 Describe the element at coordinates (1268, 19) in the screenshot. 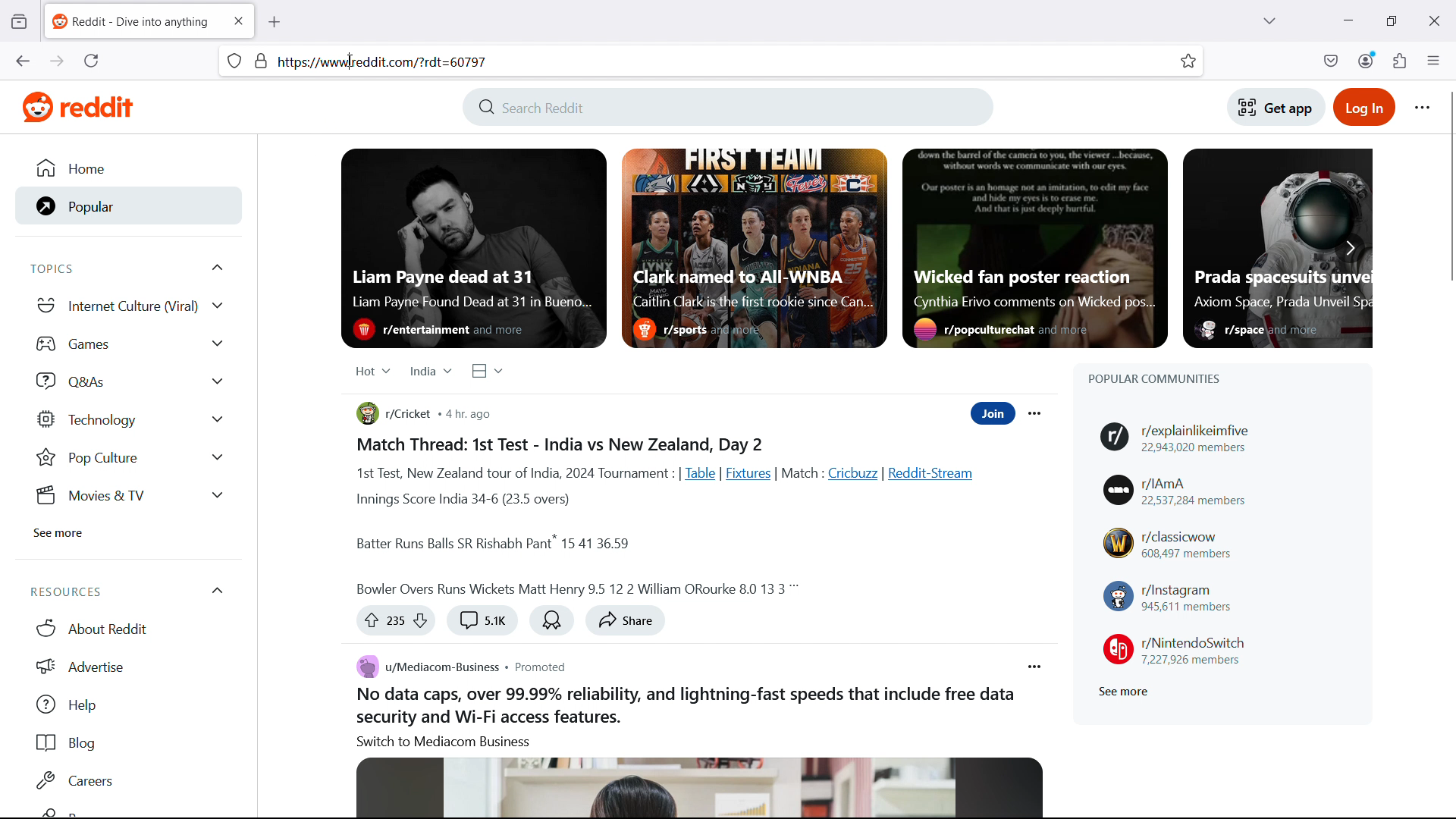

I see `list all tabs` at that location.